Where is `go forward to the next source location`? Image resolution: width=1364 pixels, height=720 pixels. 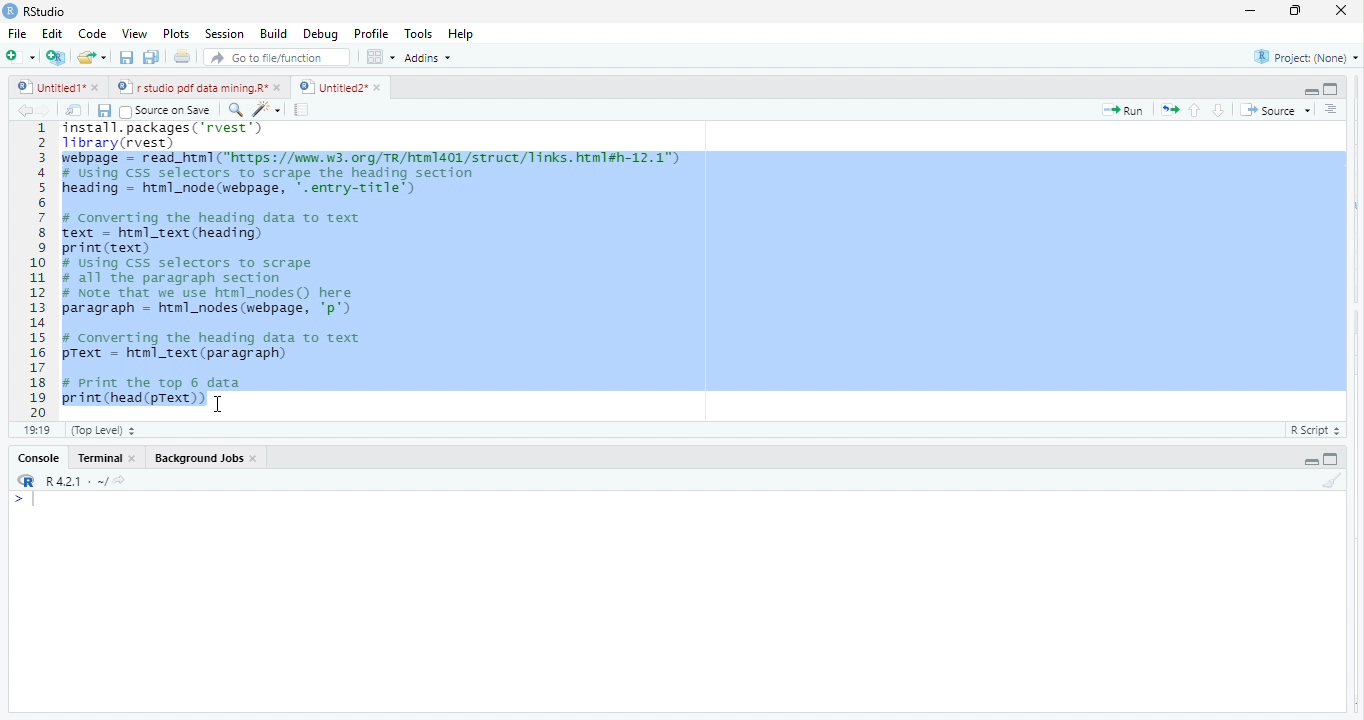
go forward to the next source location is located at coordinates (48, 112).